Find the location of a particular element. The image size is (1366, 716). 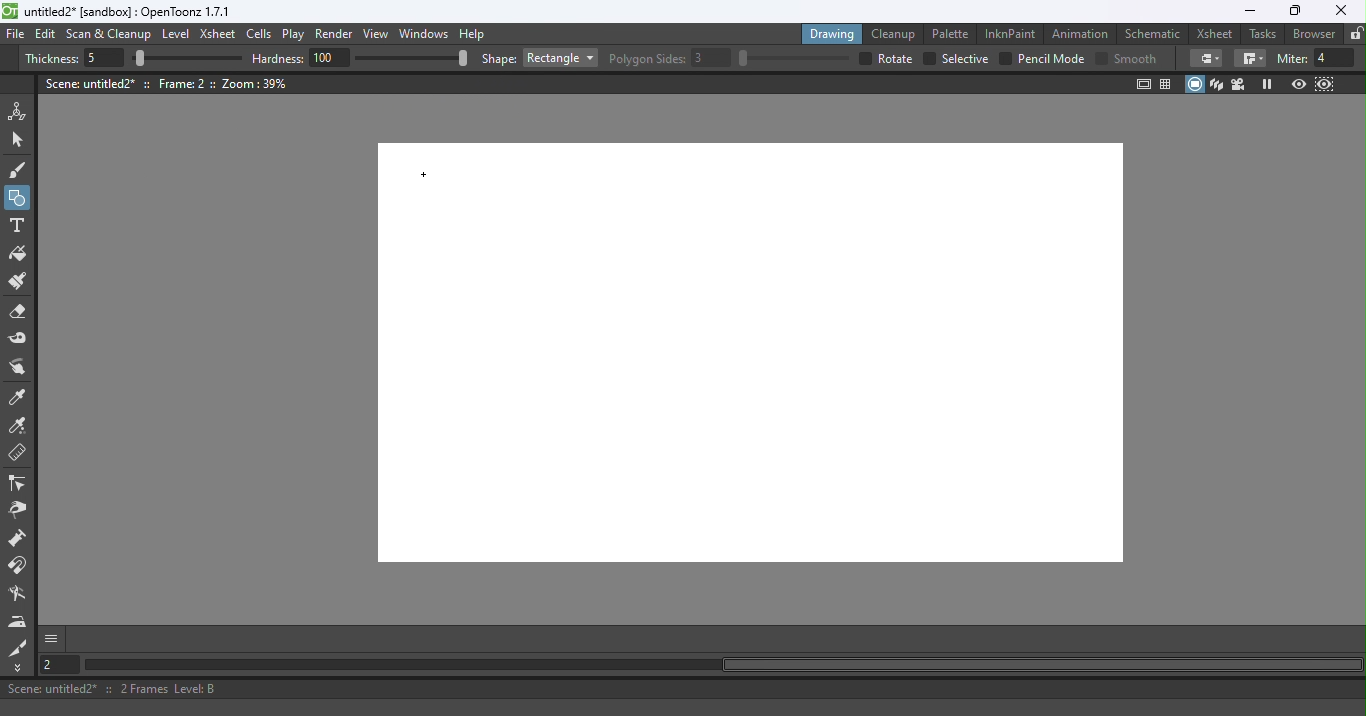

slider is located at coordinates (411, 57).